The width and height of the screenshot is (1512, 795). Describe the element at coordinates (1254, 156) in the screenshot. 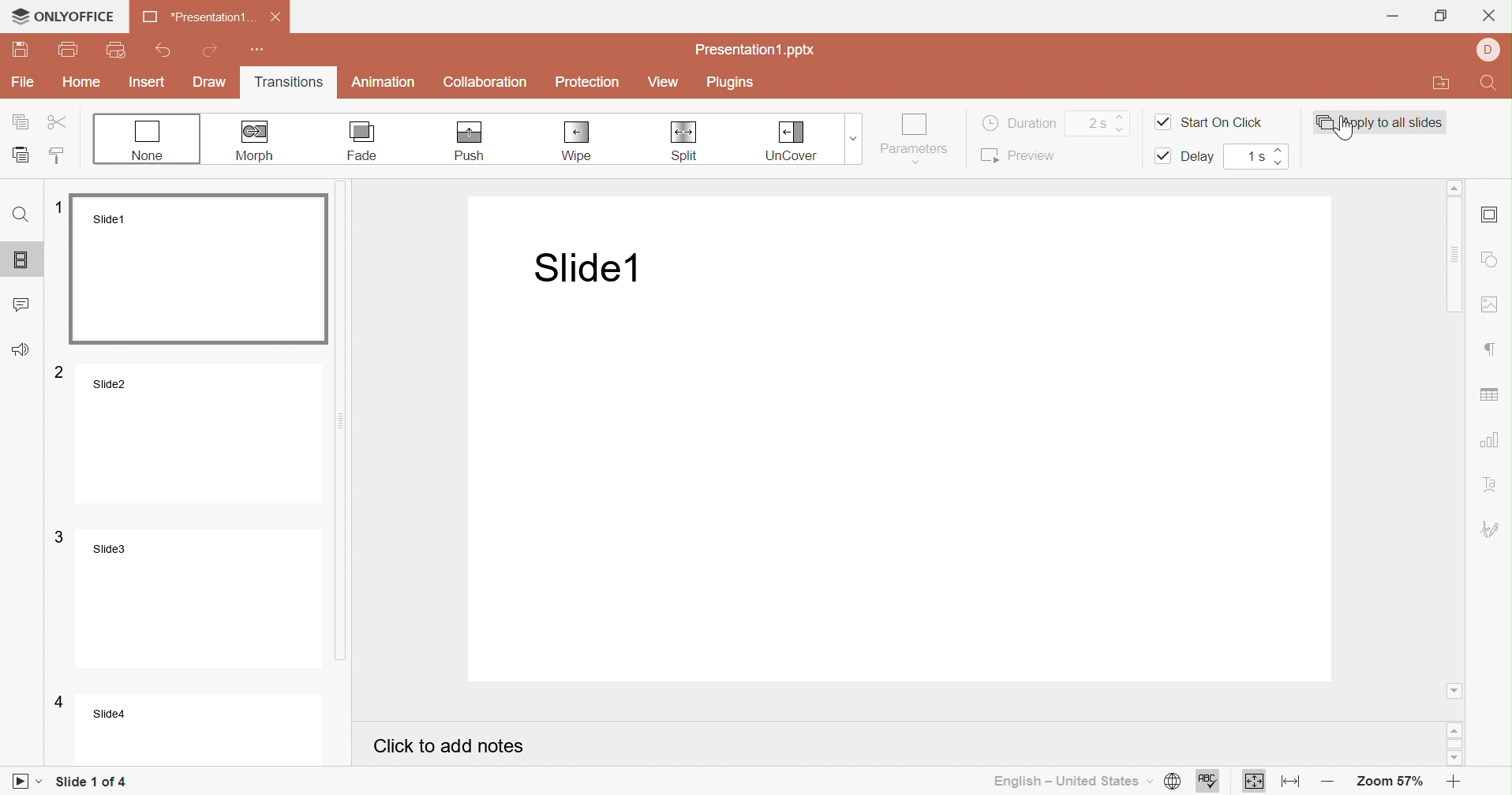

I see `1s` at that location.